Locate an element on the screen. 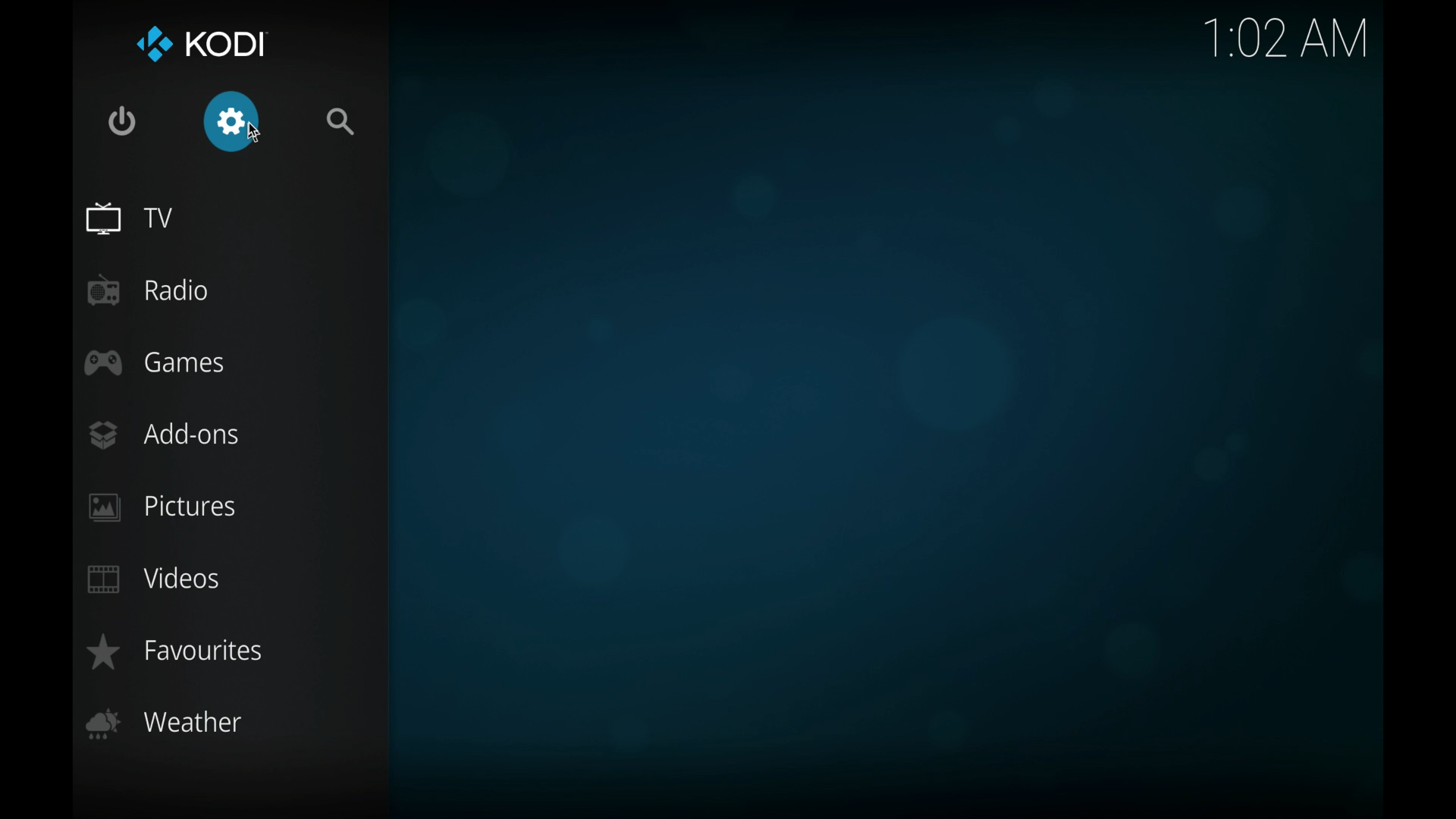 Image resolution: width=1456 pixels, height=819 pixels. weather is located at coordinates (163, 723).